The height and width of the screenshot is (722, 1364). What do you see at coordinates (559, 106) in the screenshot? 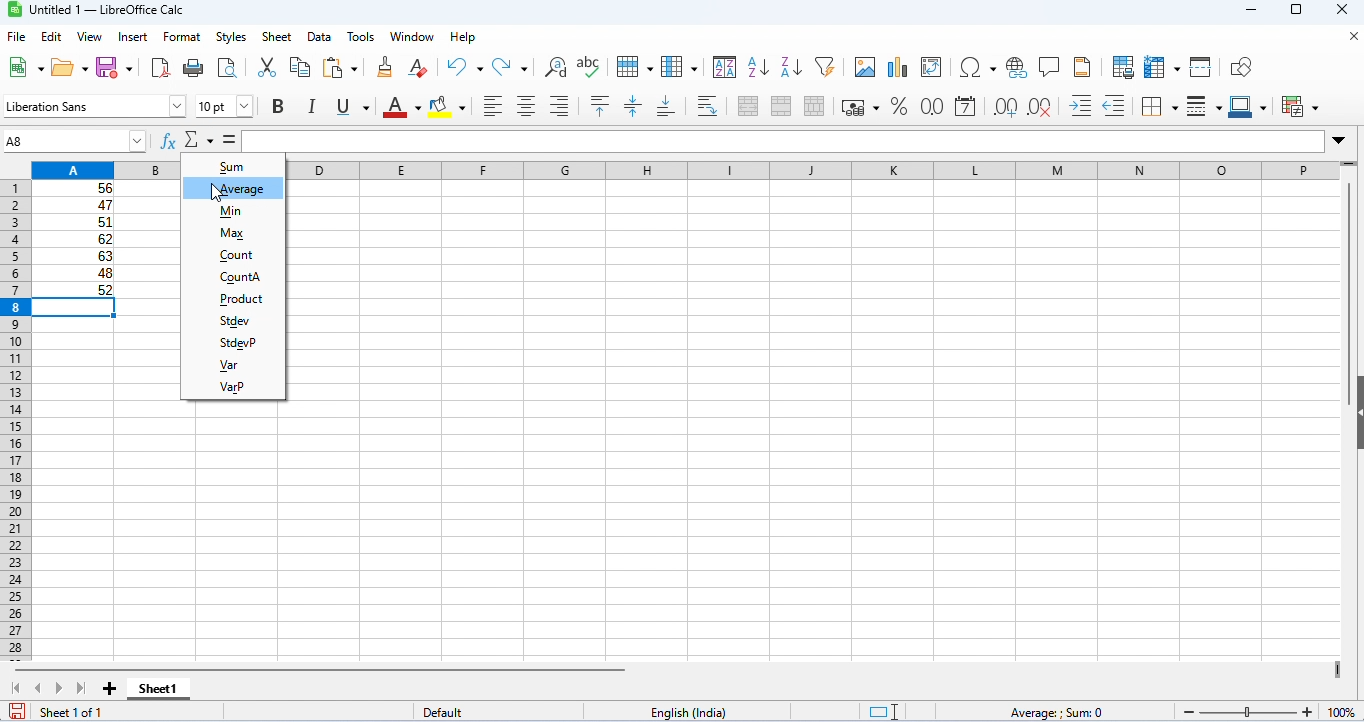
I see `align right` at bounding box center [559, 106].